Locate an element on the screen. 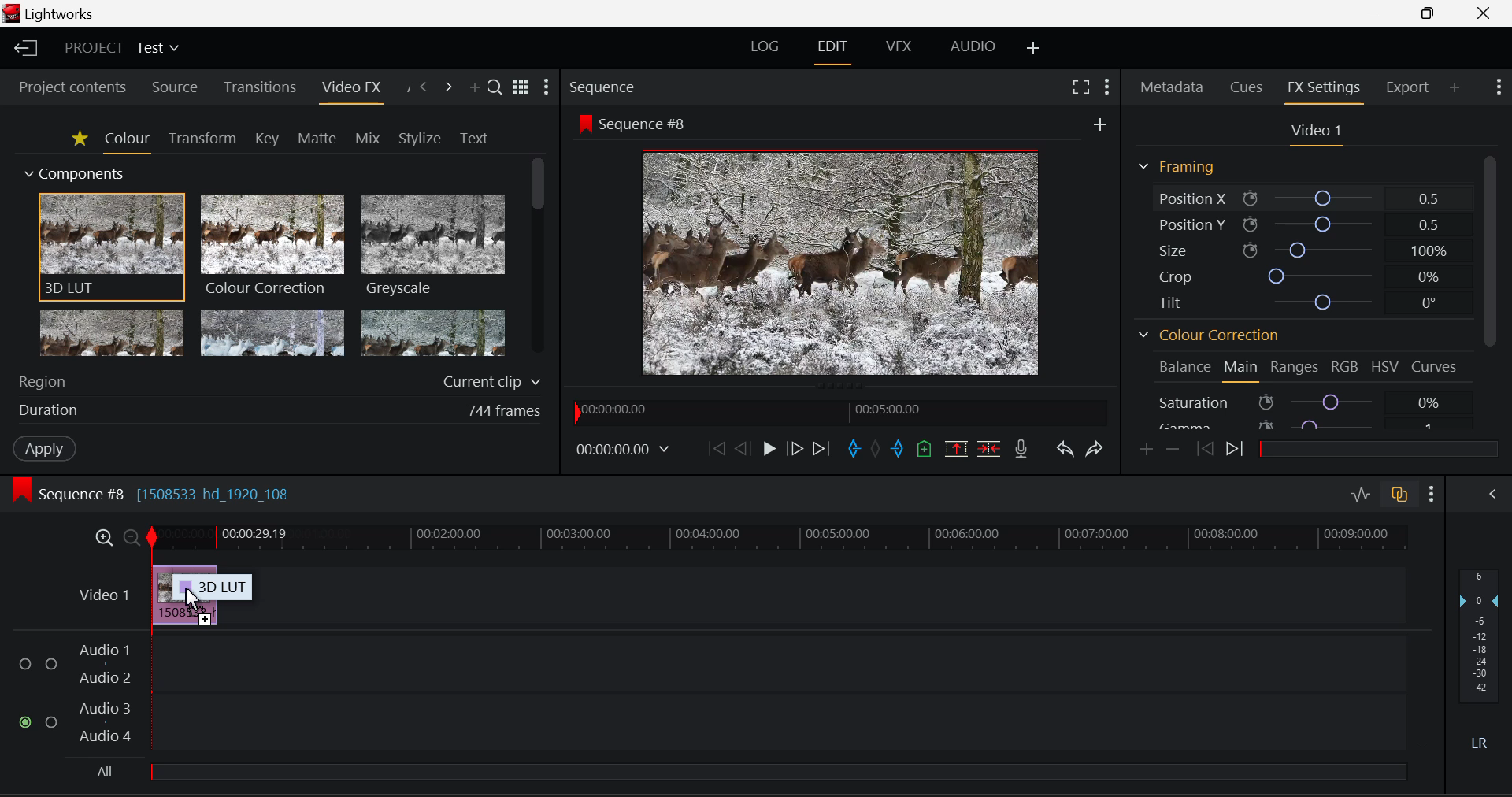 The image size is (1512, 797). Go Forward is located at coordinates (795, 451).